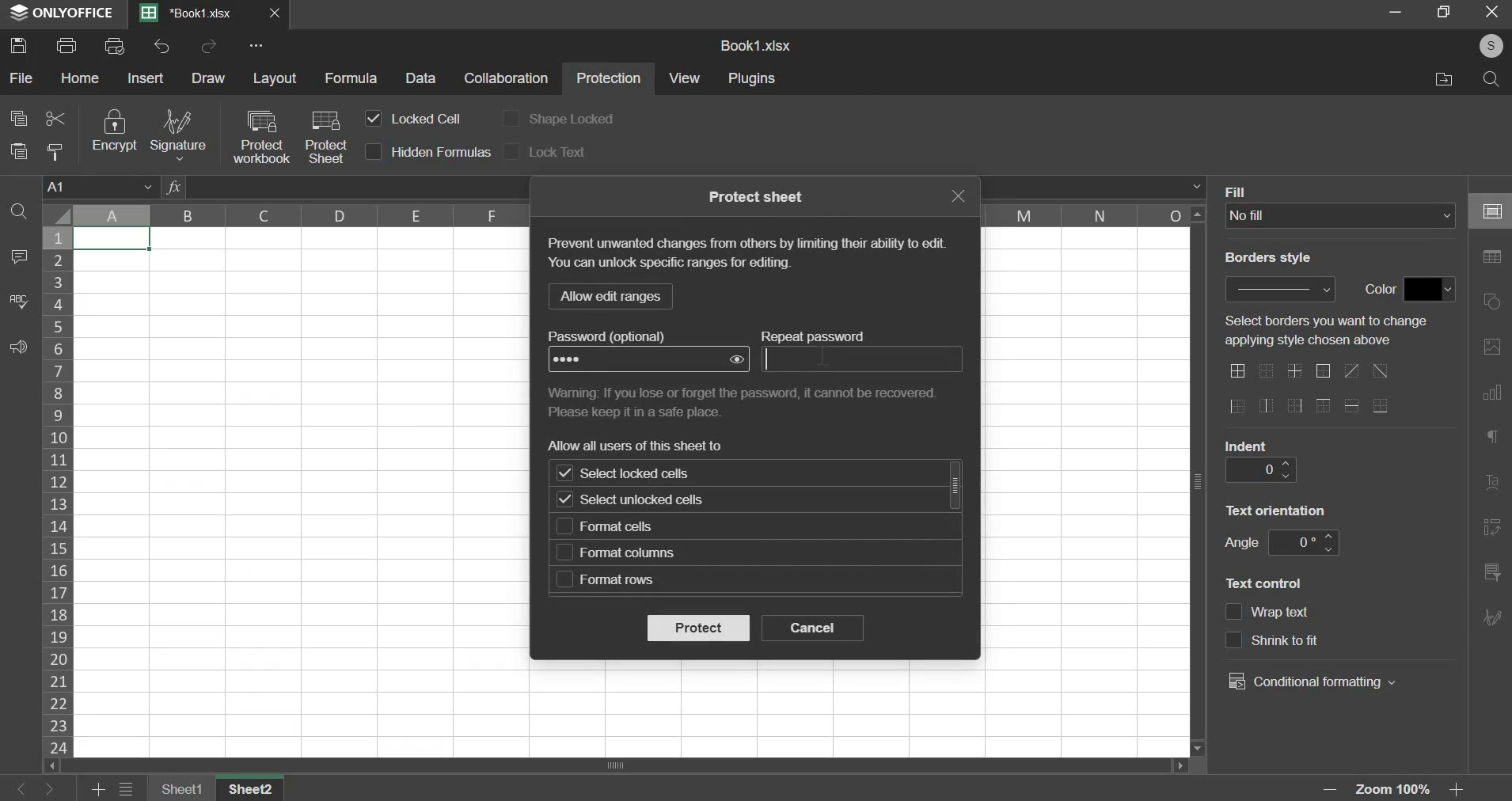 The width and height of the screenshot is (1512, 801). What do you see at coordinates (19, 301) in the screenshot?
I see `spelling` at bounding box center [19, 301].